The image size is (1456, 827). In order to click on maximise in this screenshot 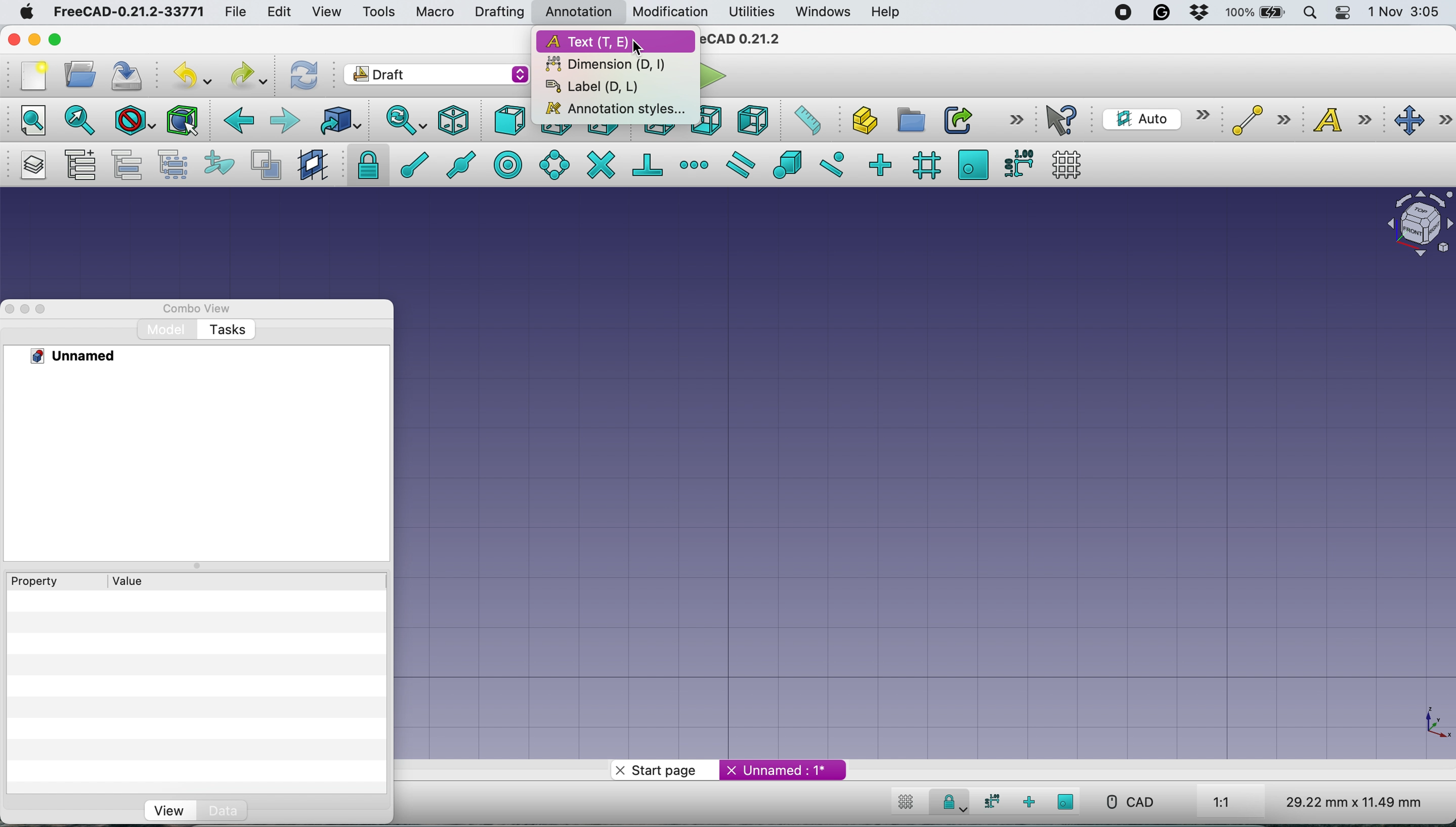, I will do `click(56, 39)`.